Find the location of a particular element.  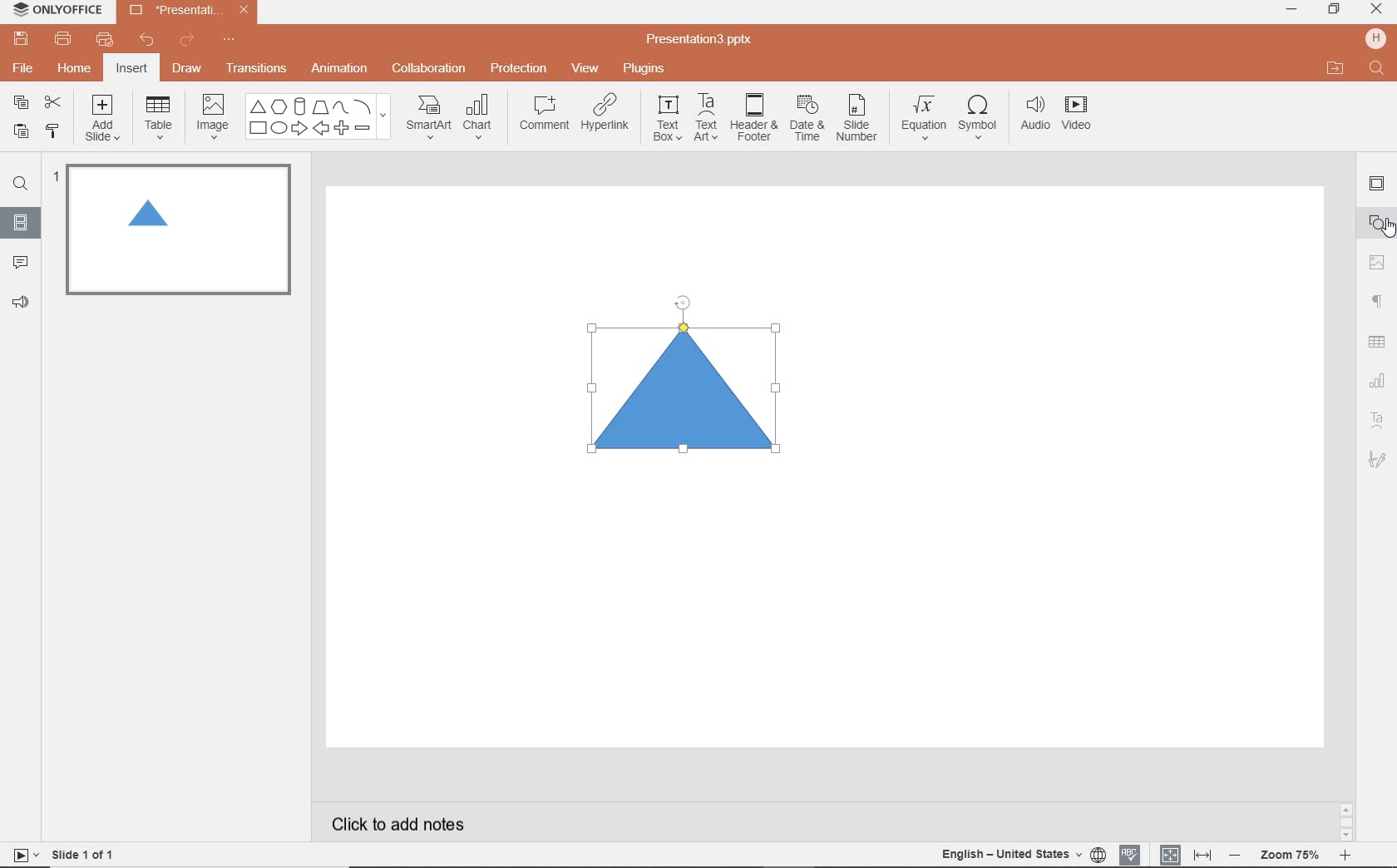

start slideshow is located at coordinates (20, 857).